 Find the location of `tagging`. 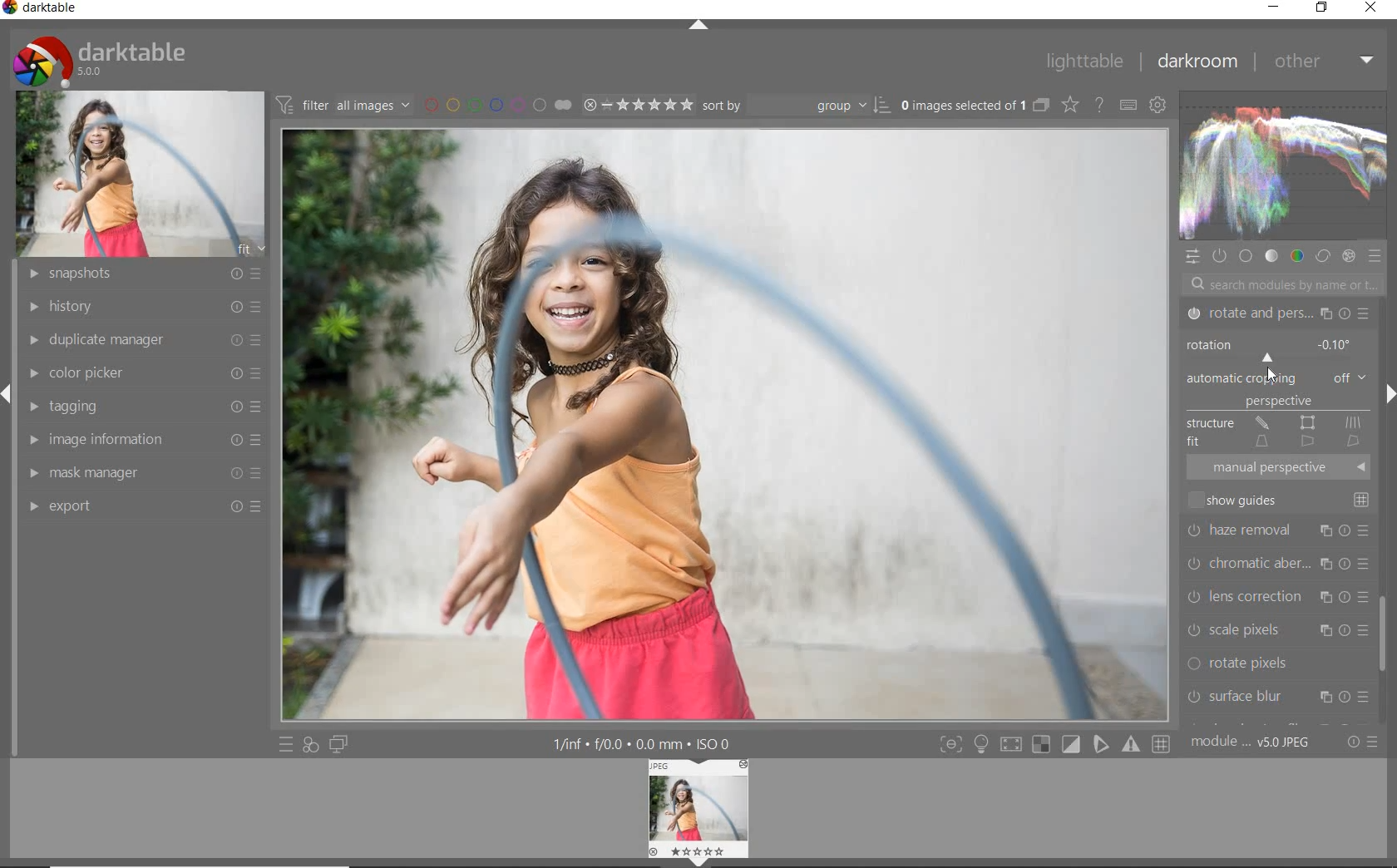

tagging is located at coordinates (144, 406).